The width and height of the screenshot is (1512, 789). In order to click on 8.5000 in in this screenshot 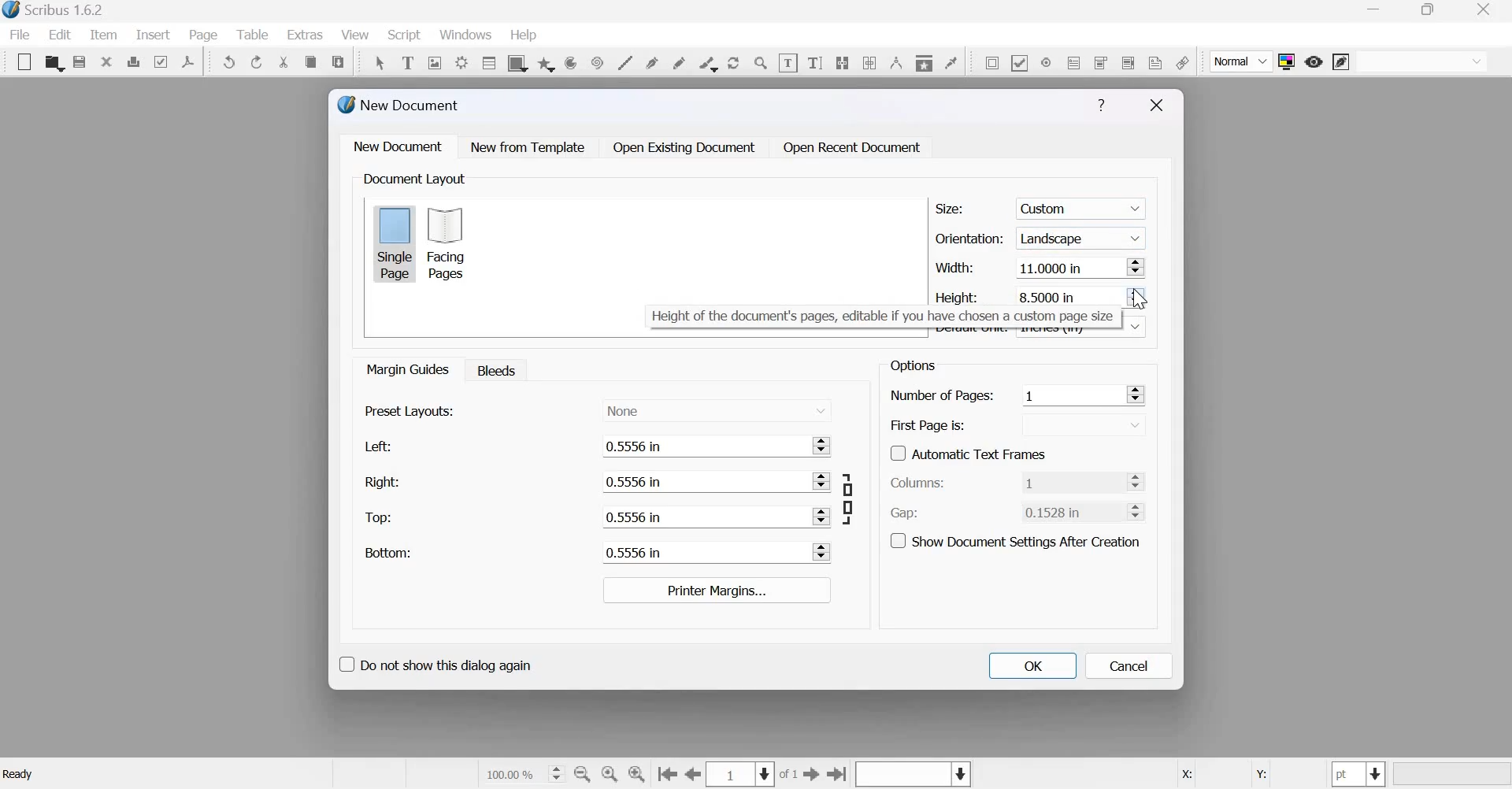, I will do `click(1050, 295)`.